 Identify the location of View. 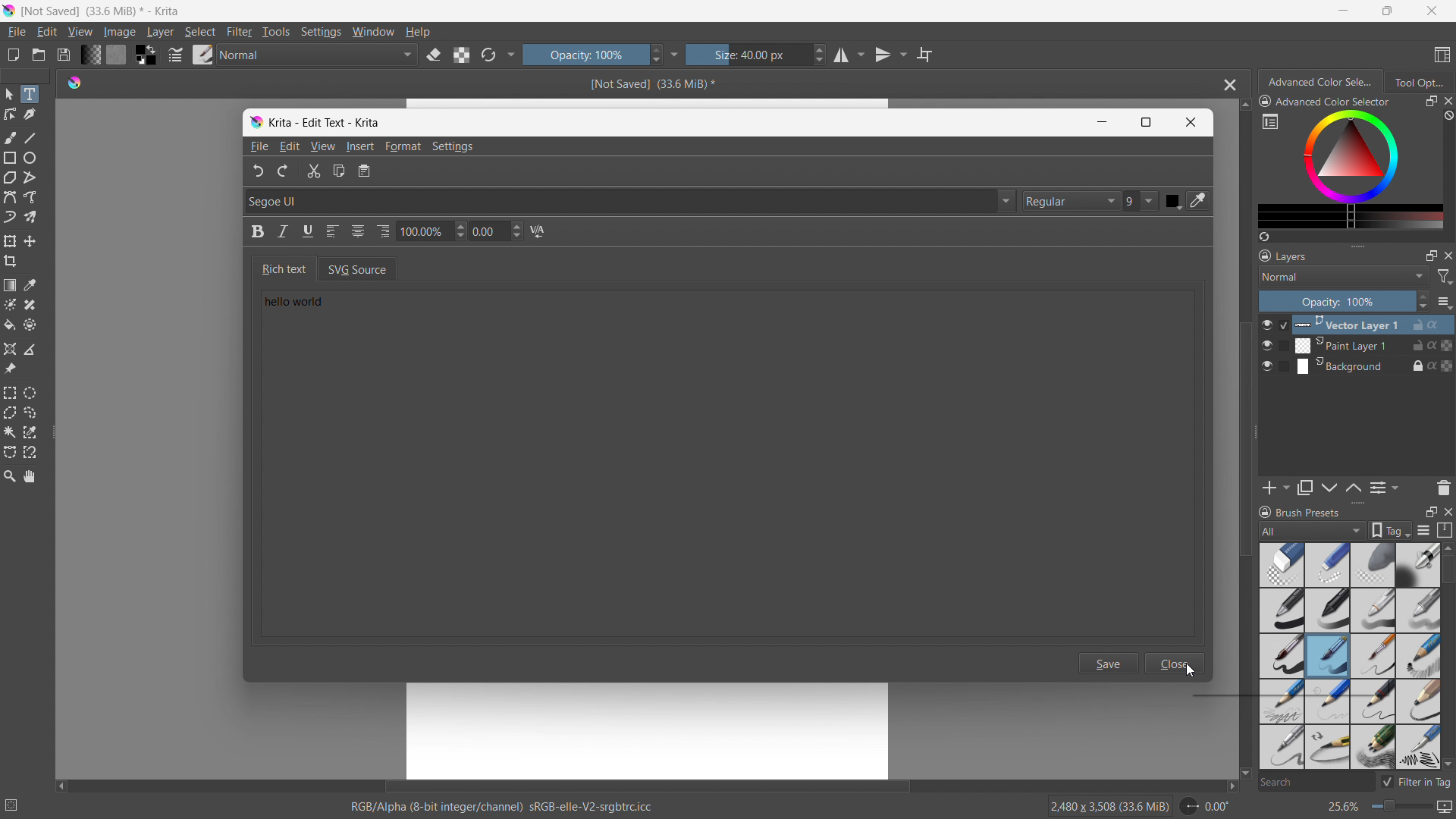
(322, 146).